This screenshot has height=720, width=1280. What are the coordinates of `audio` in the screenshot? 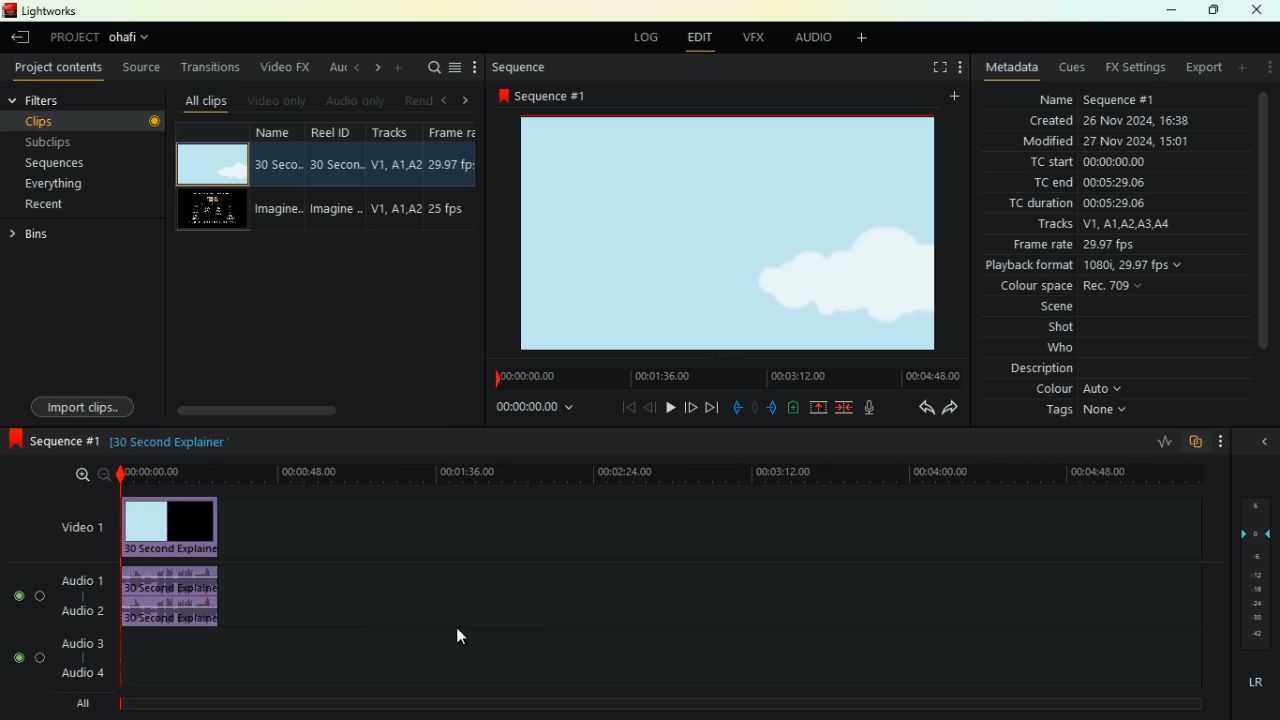 It's located at (808, 37).